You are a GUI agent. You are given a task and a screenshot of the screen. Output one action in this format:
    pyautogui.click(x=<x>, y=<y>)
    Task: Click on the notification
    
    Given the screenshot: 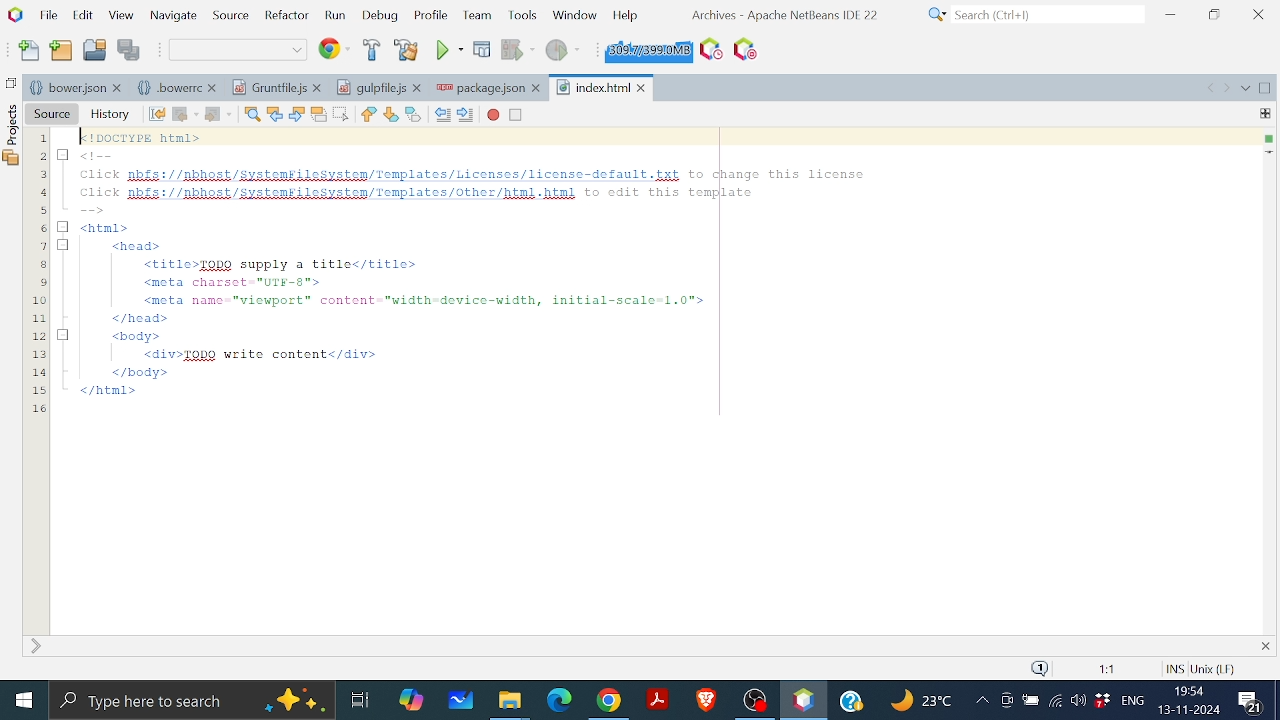 What is the action you would take?
    pyautogui.click(x=1037, y=666)
    